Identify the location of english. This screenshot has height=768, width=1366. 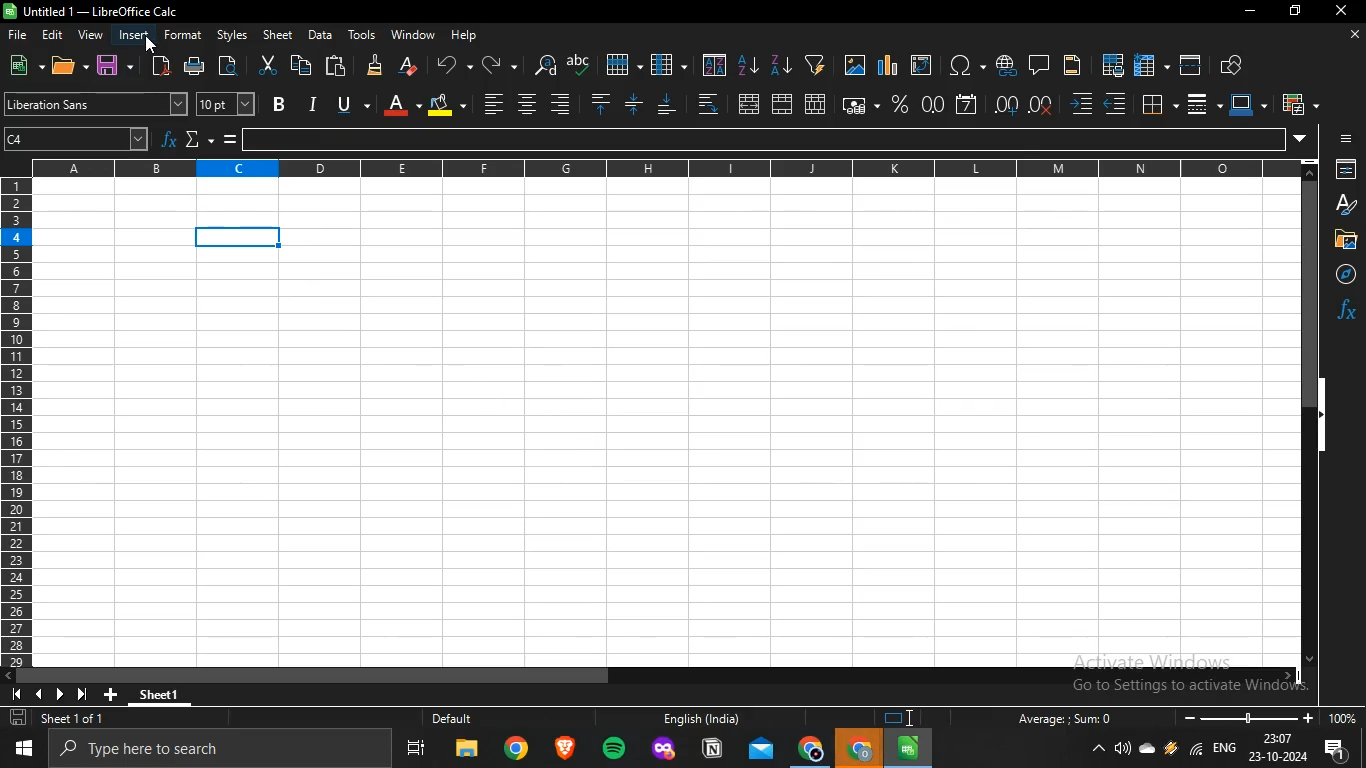
(1223, 750).